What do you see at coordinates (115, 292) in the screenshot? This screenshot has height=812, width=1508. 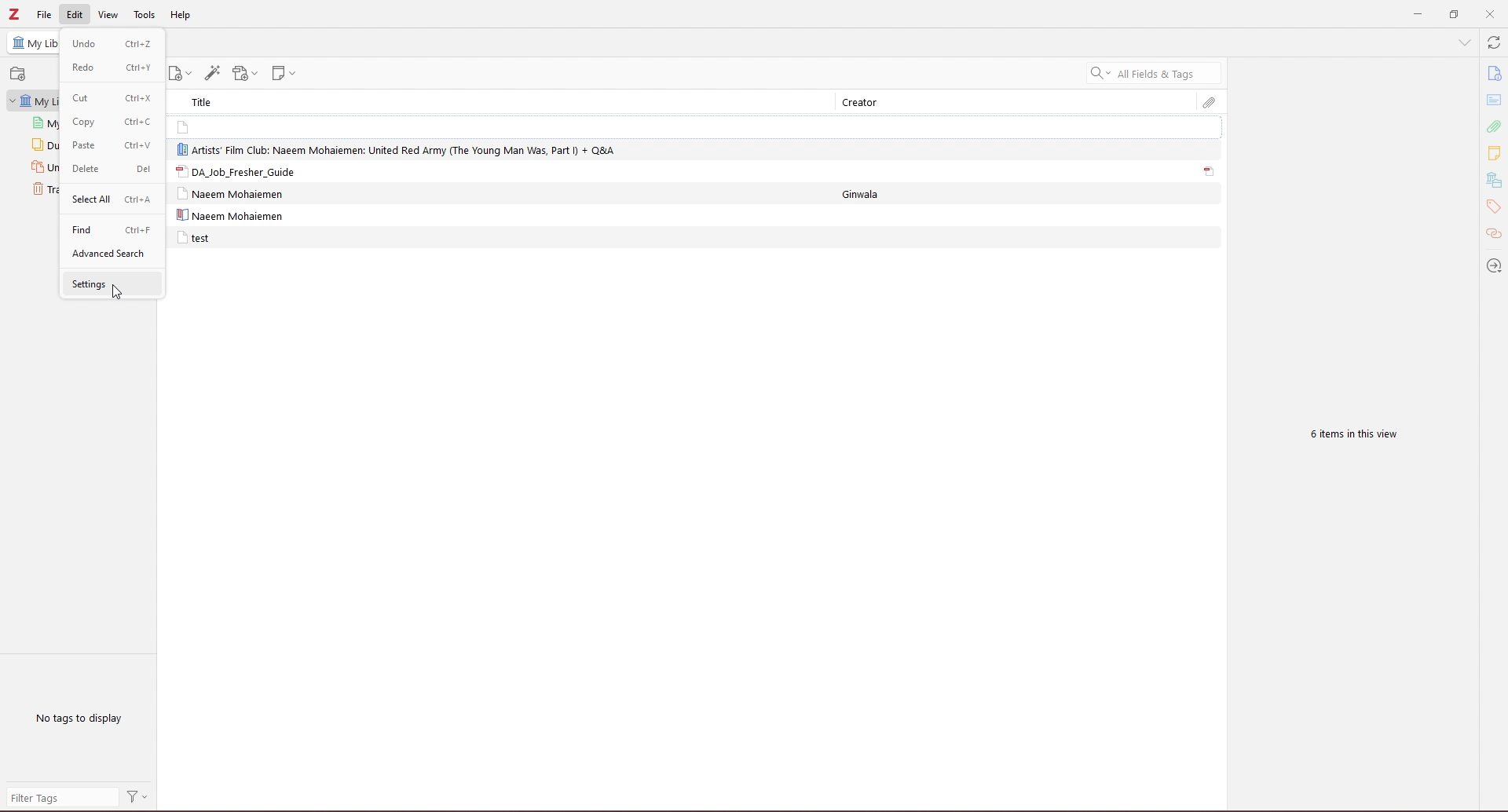 I see `Cursor` at bounding box center [115, 292].